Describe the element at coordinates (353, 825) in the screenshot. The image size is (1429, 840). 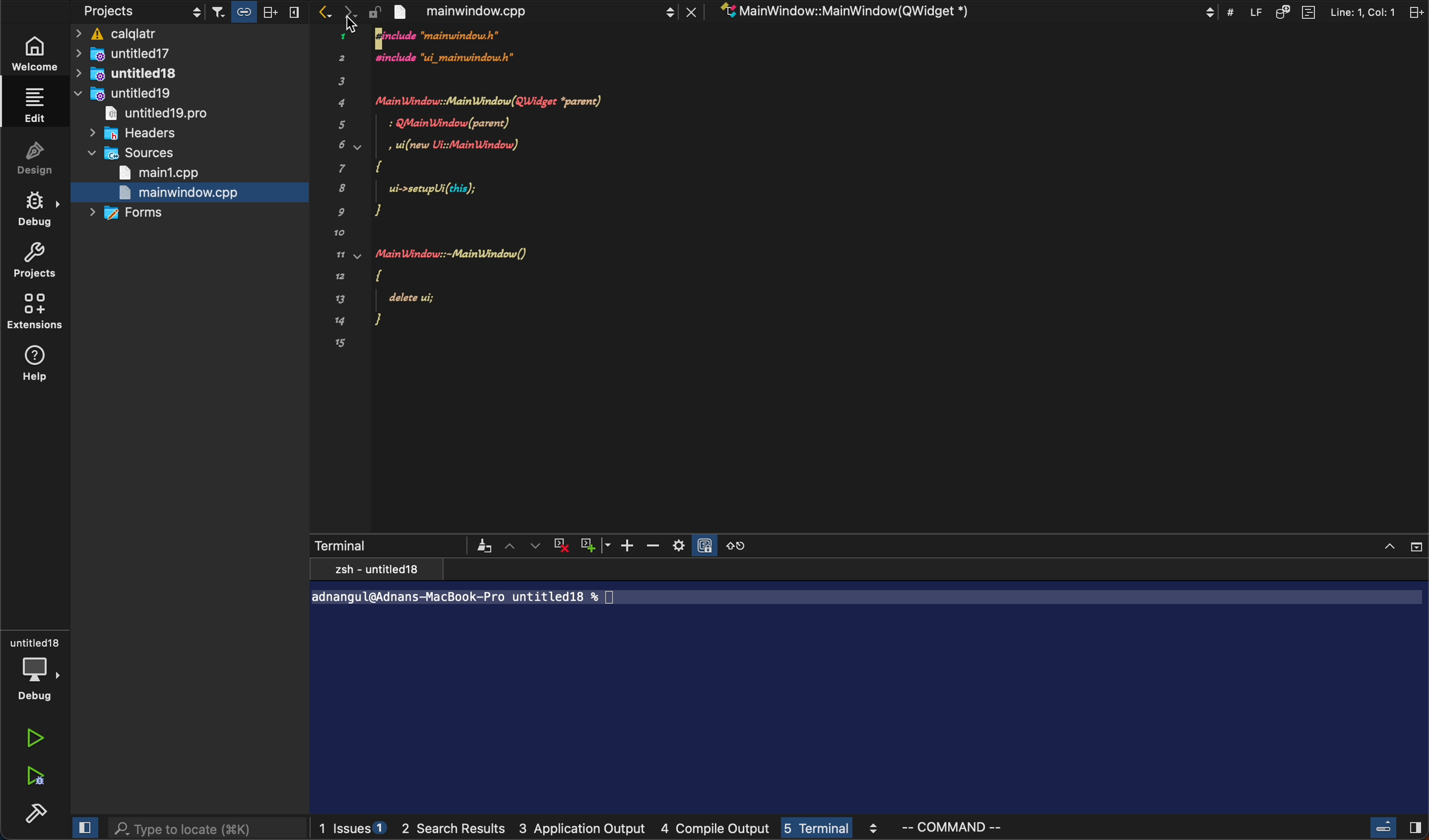
I see `issues` at that location.